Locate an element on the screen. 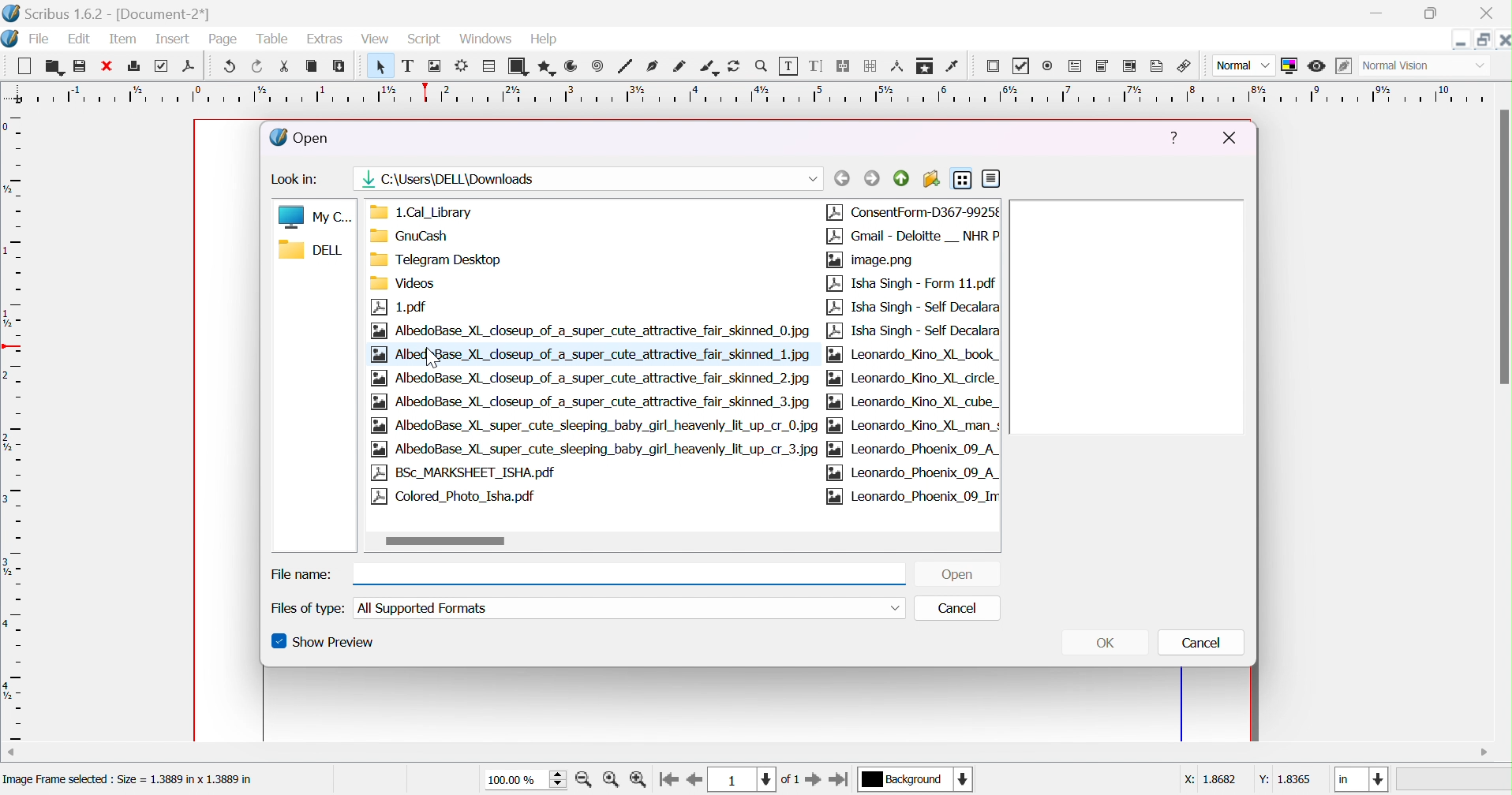 This screenshot has height=795, width=1512. close is located at coordinates (1488, 13).